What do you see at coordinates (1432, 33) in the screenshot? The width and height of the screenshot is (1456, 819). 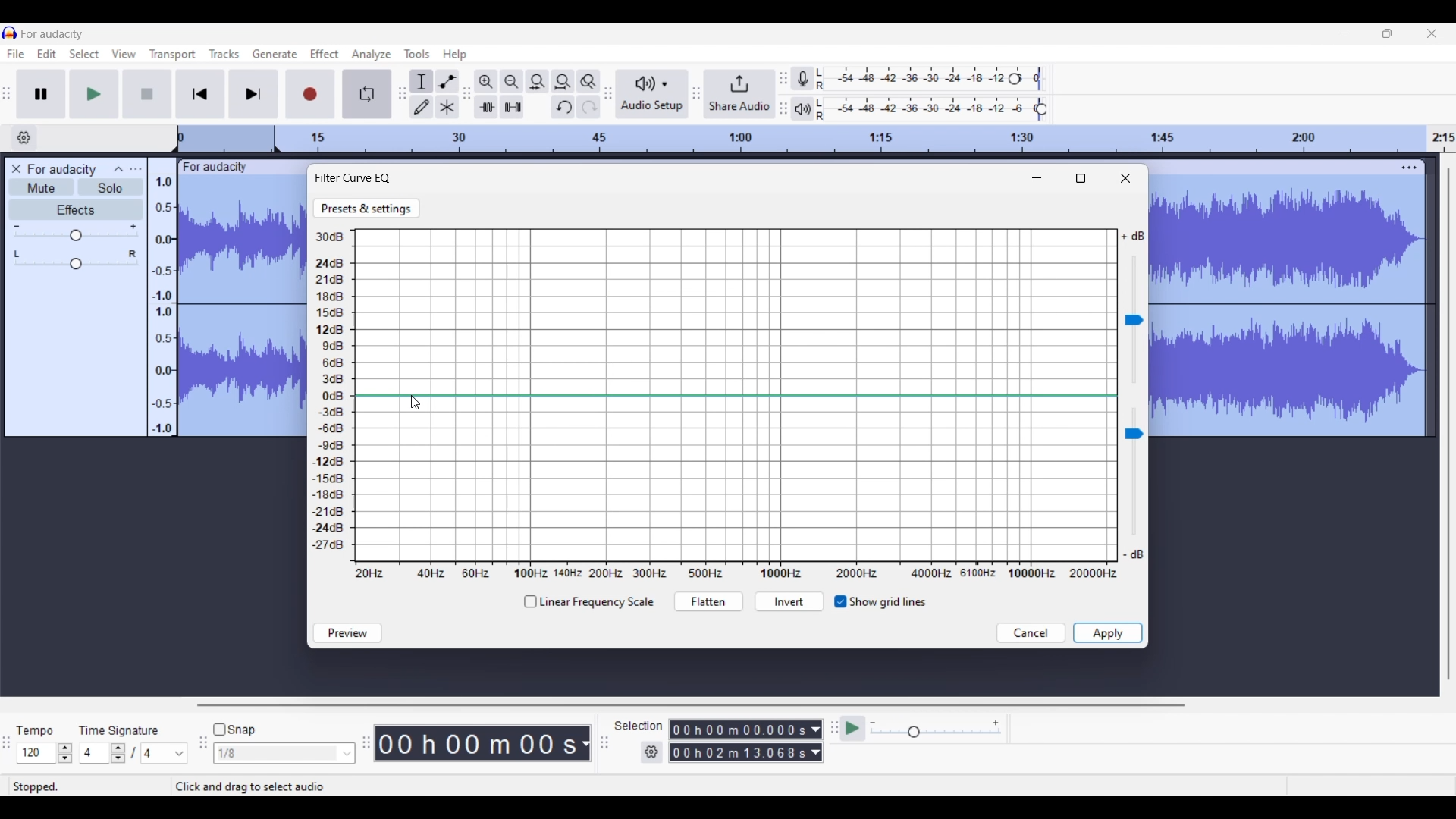 I see `Close interface` at bounding box center [1432, 33].